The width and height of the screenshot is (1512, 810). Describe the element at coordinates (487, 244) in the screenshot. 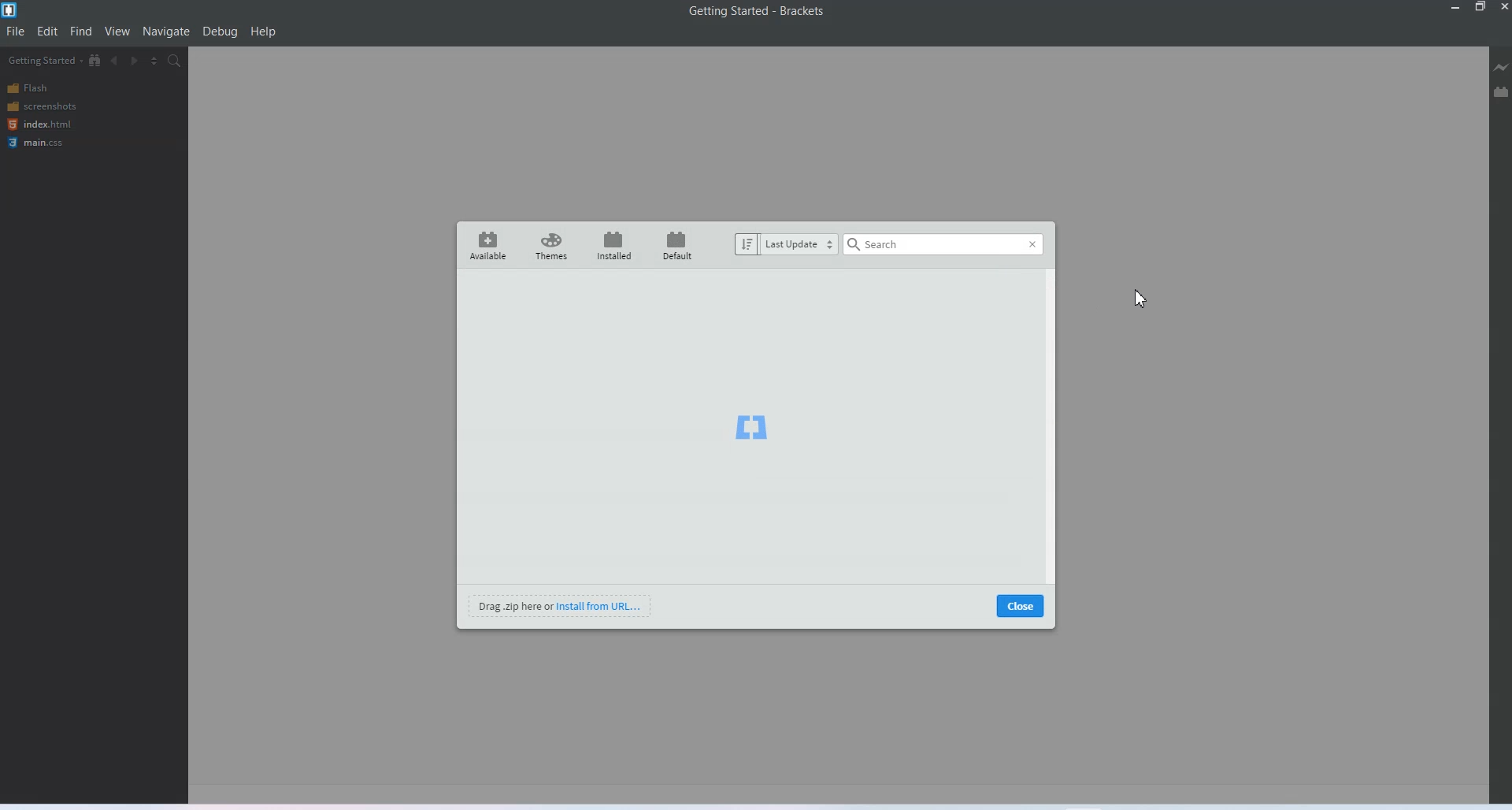

I see `Available` at that location.